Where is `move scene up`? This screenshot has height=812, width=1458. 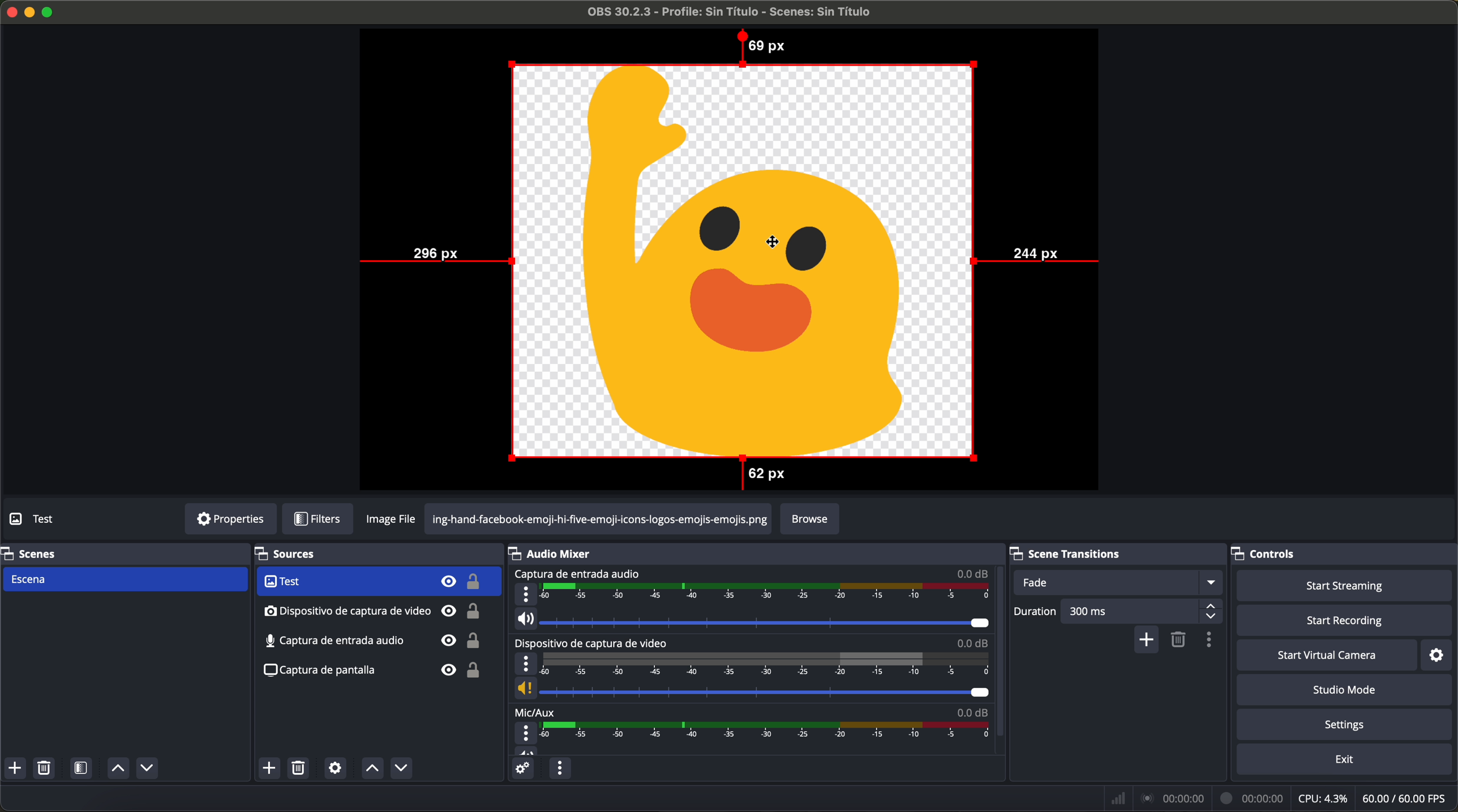
move scene up is located at coordinates (118, 769).